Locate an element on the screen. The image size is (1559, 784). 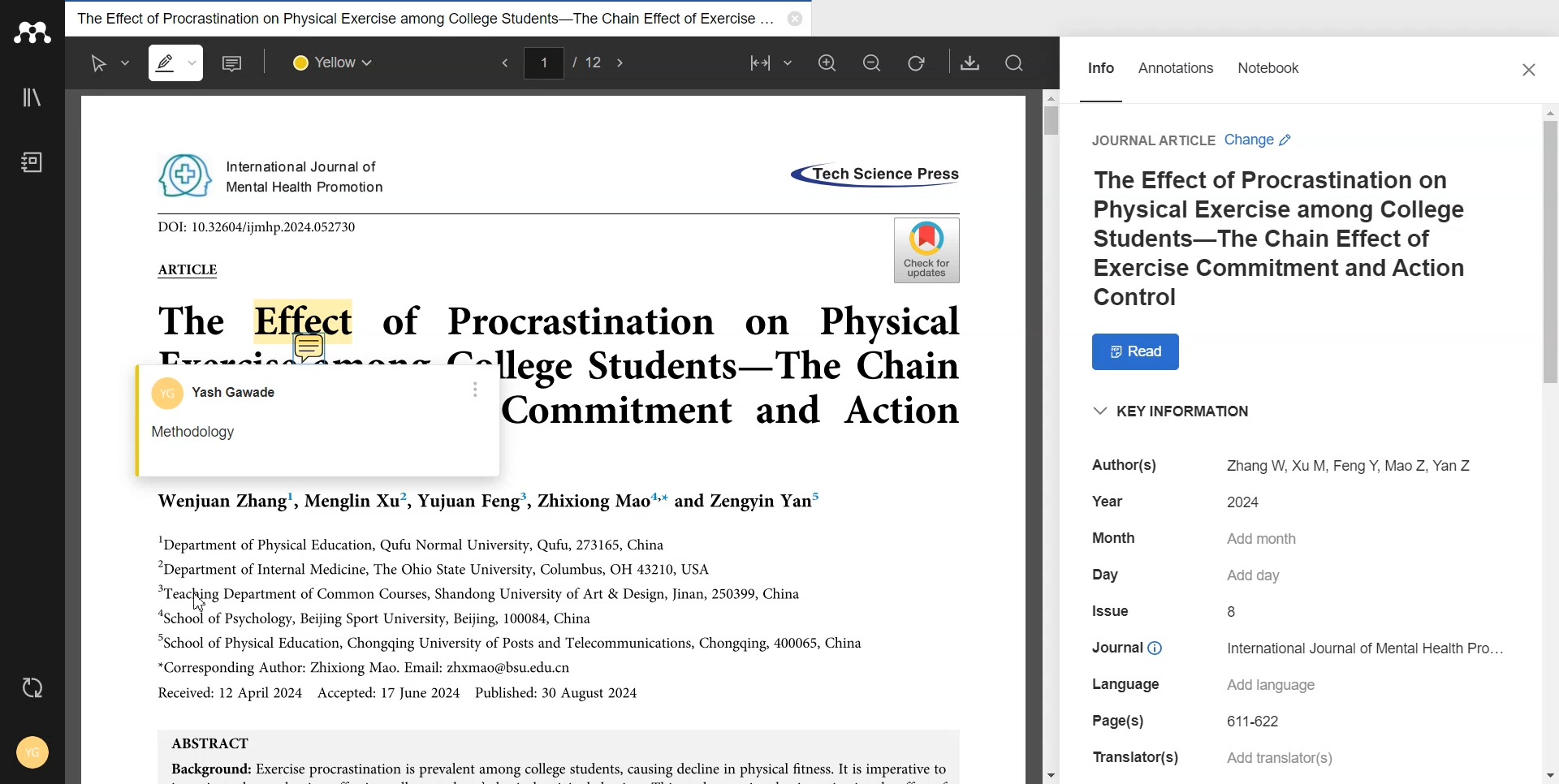
Refresh is located at coordinates (916, 62).